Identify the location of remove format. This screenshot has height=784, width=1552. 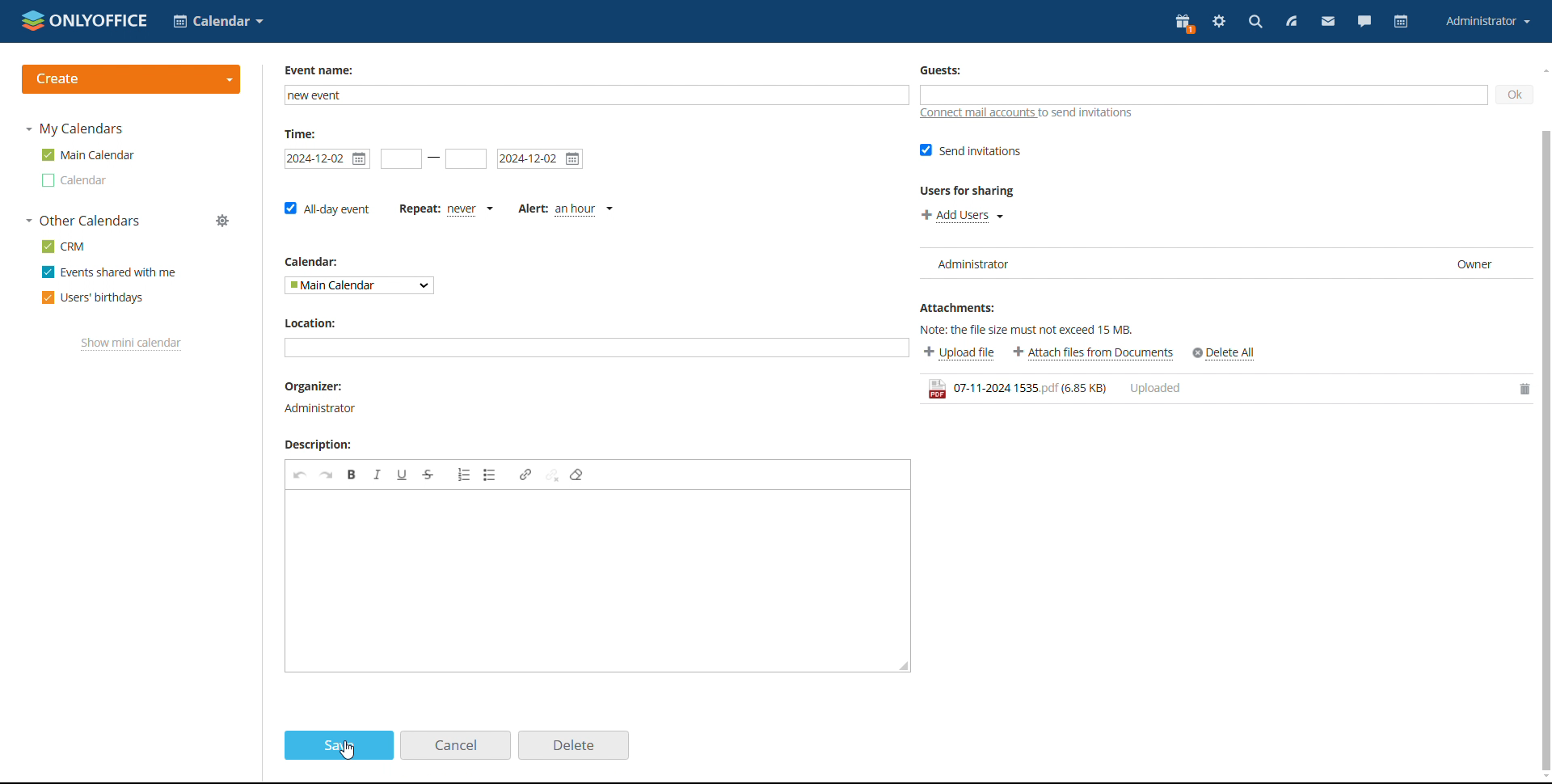
(576, 474).